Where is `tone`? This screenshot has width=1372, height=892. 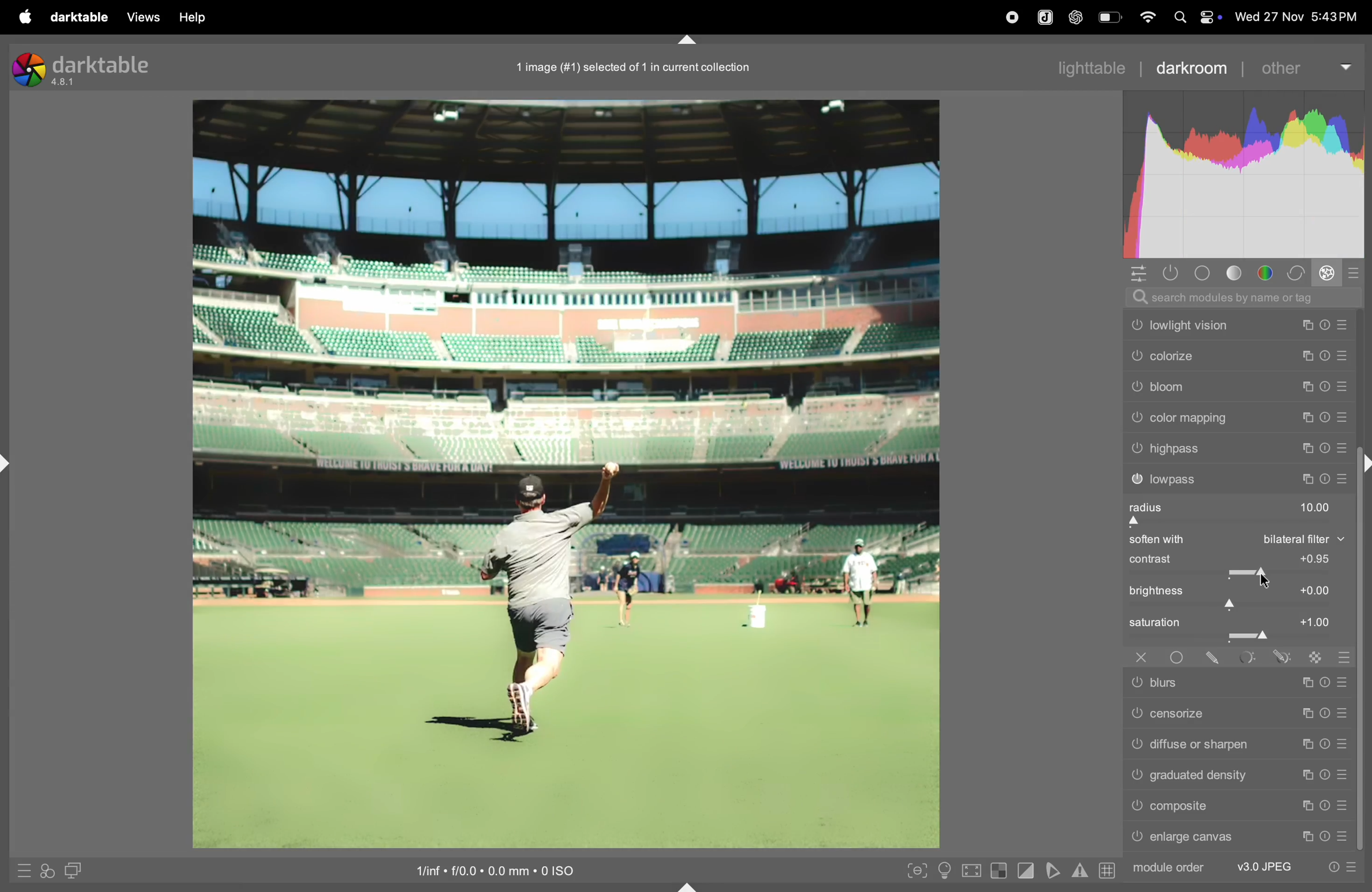
tone is located at coordinates (1238, 273).